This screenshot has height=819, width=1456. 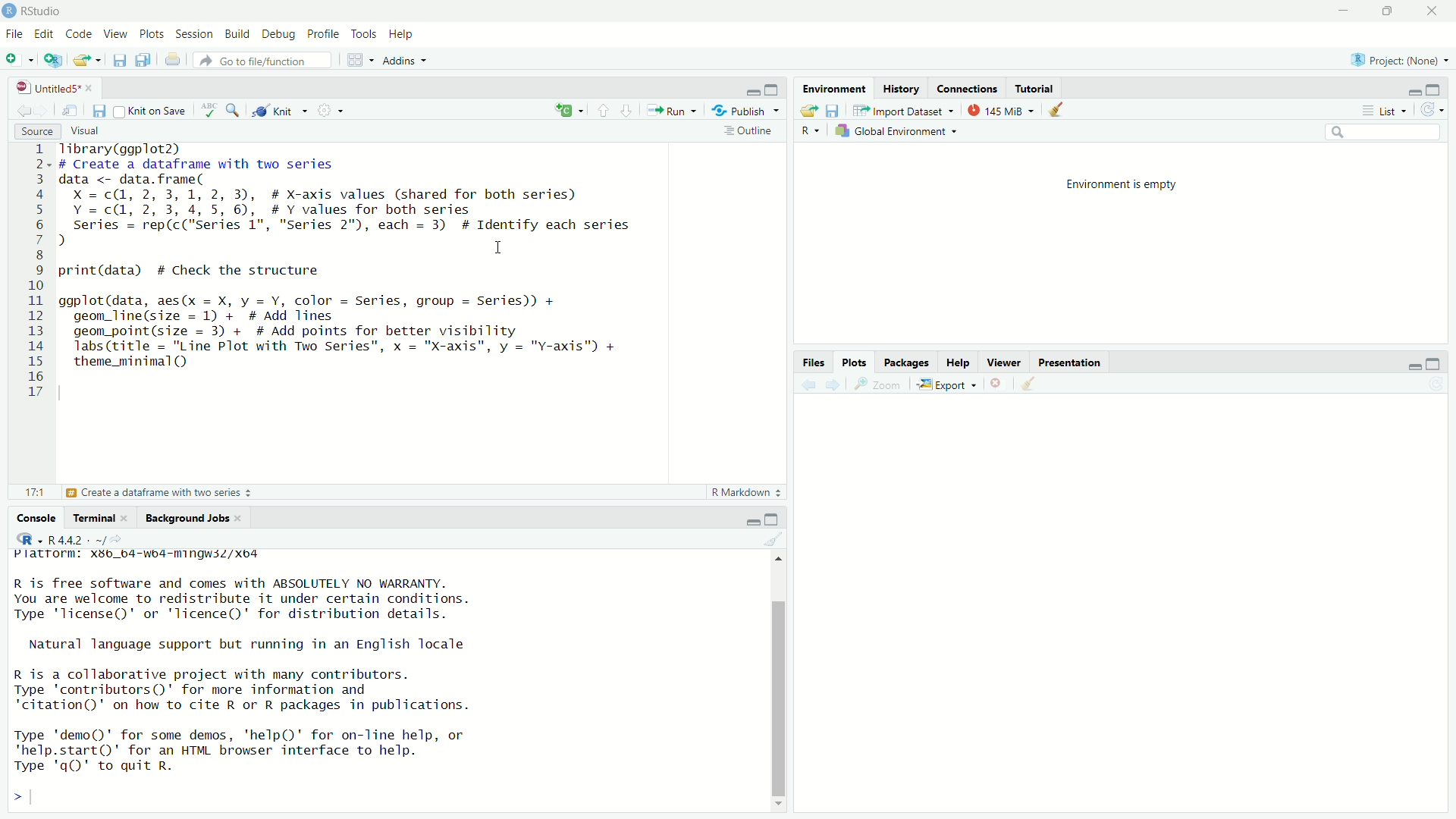 I want to click on Compilie Report, so click(x=332, y=111).